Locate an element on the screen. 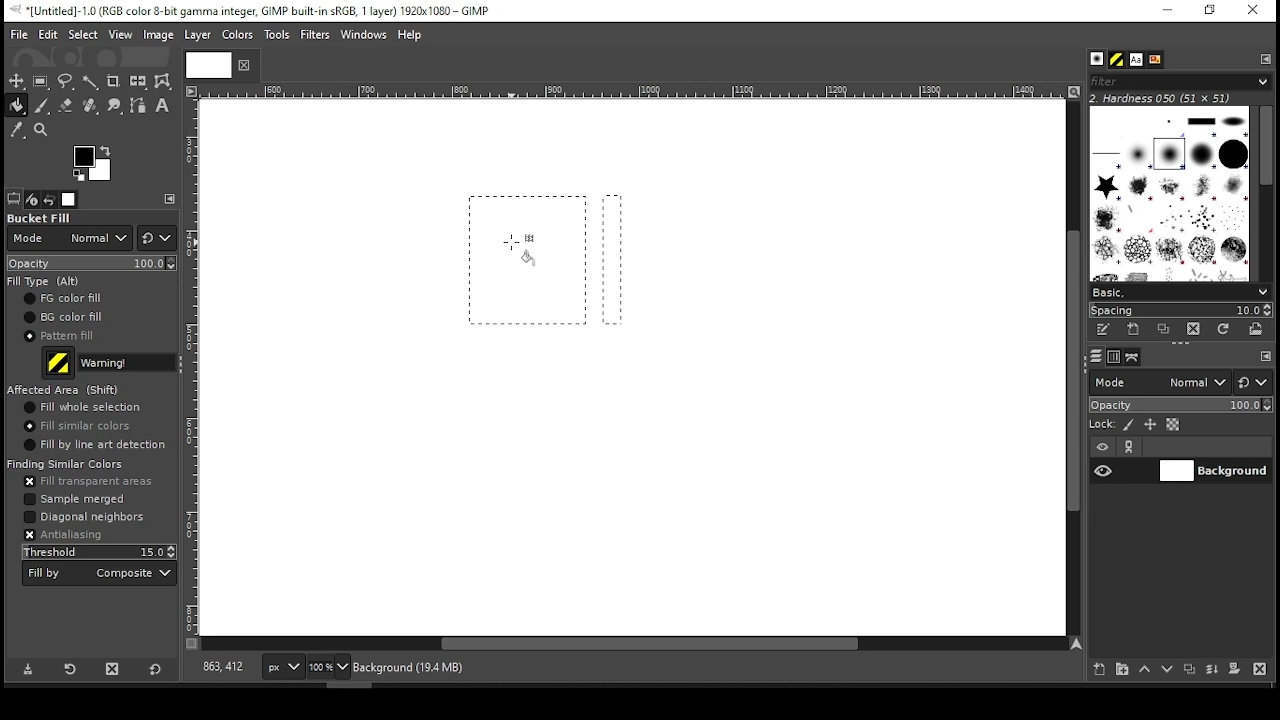 The width and height of the screenshot is (1280, 720).  is located at coordinates (193, 367).